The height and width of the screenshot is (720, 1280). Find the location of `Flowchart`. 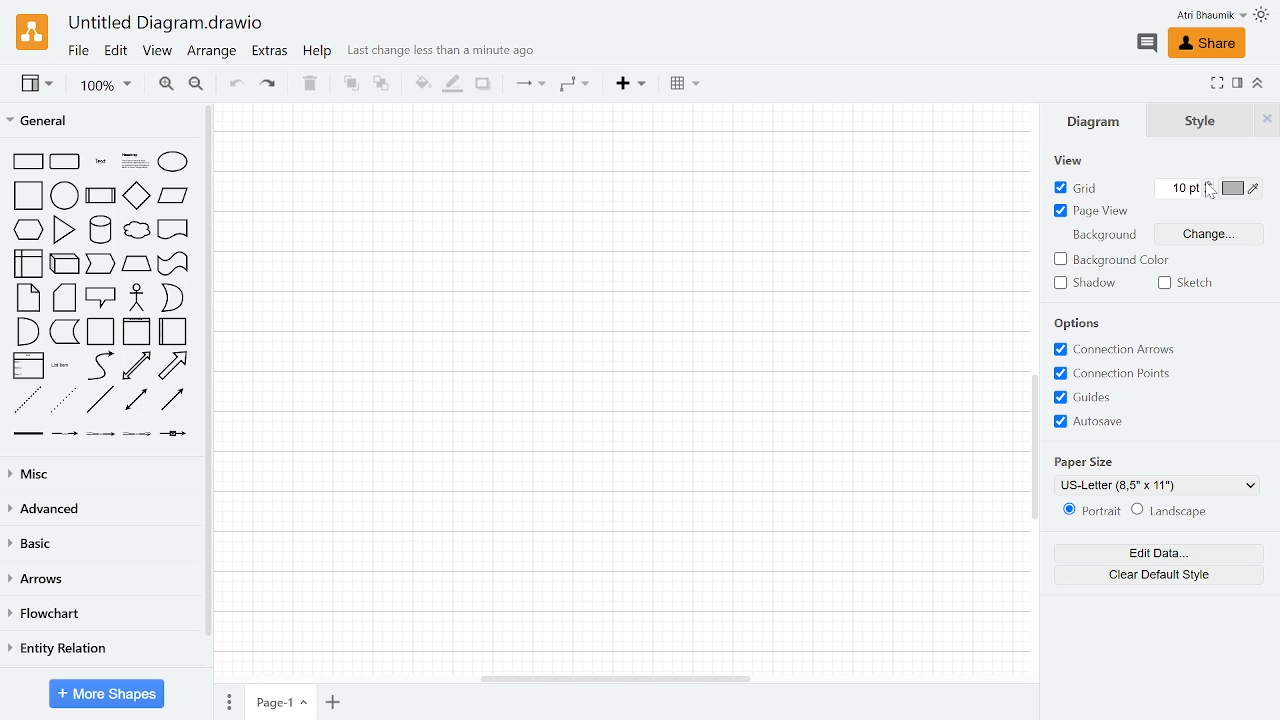

Flowchart is located at coordinates (99, 616).